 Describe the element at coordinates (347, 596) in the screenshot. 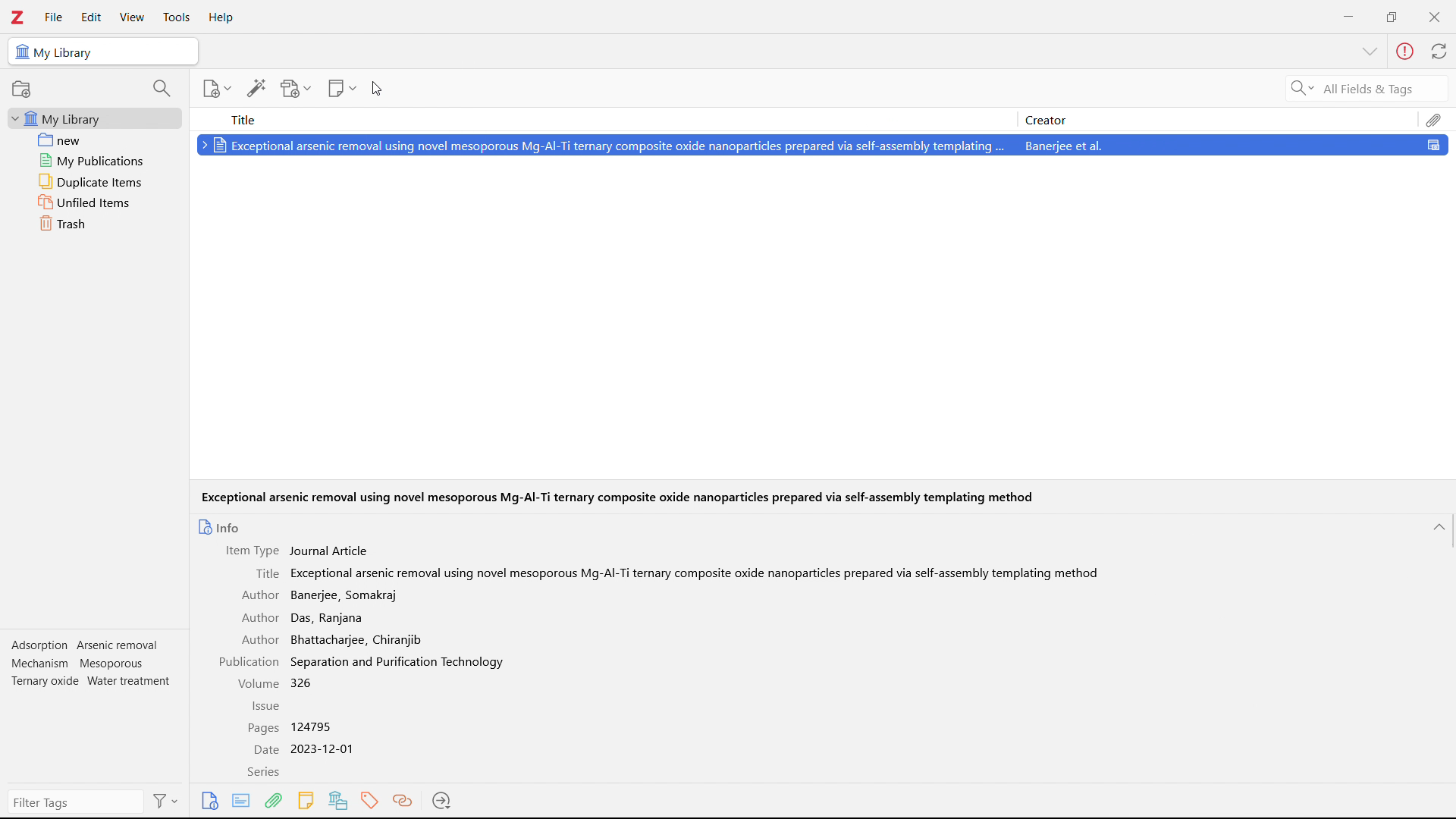

I see `Banerjee, Somakraj` at that location.